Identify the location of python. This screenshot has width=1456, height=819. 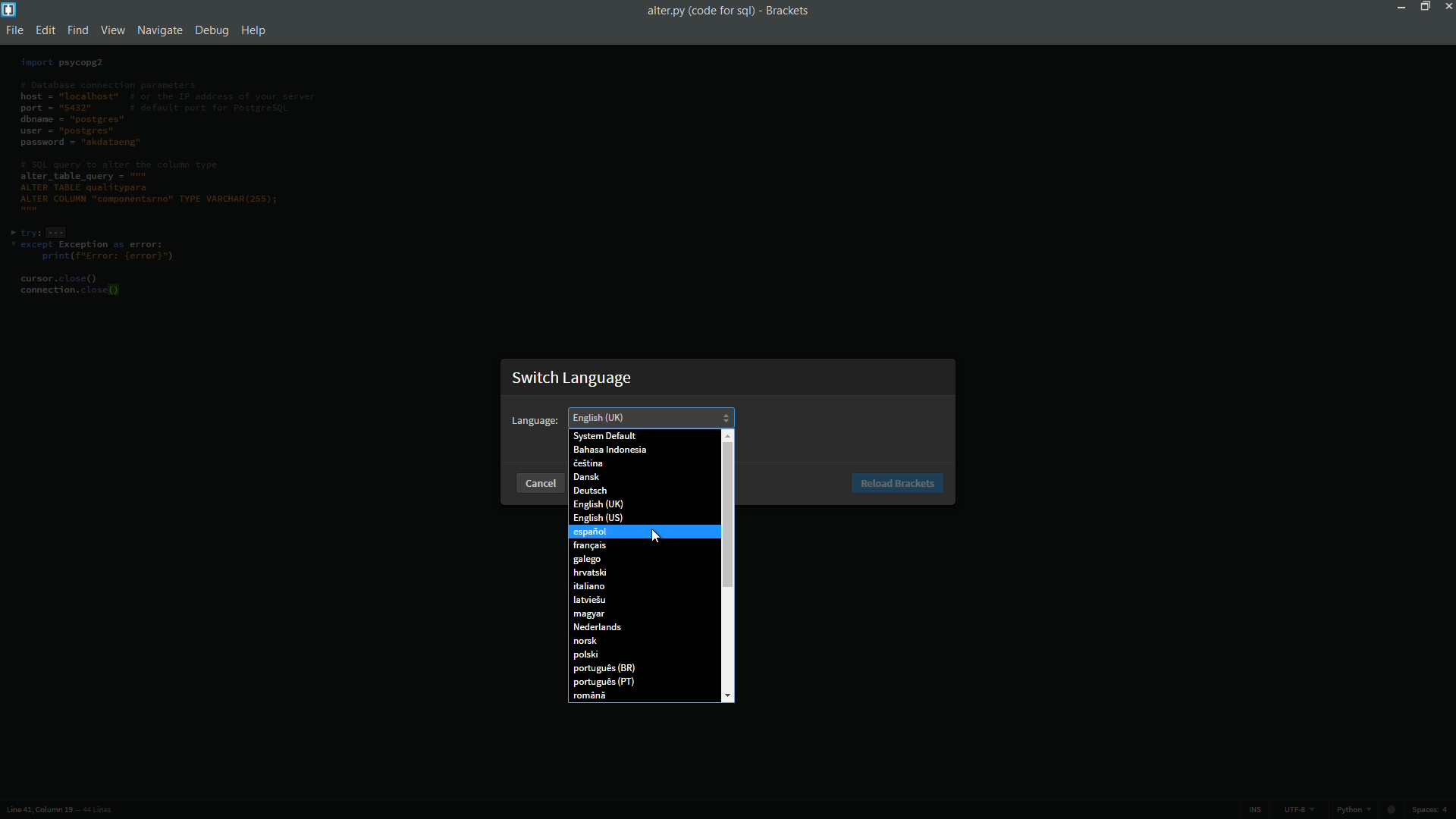
(1354, 810).